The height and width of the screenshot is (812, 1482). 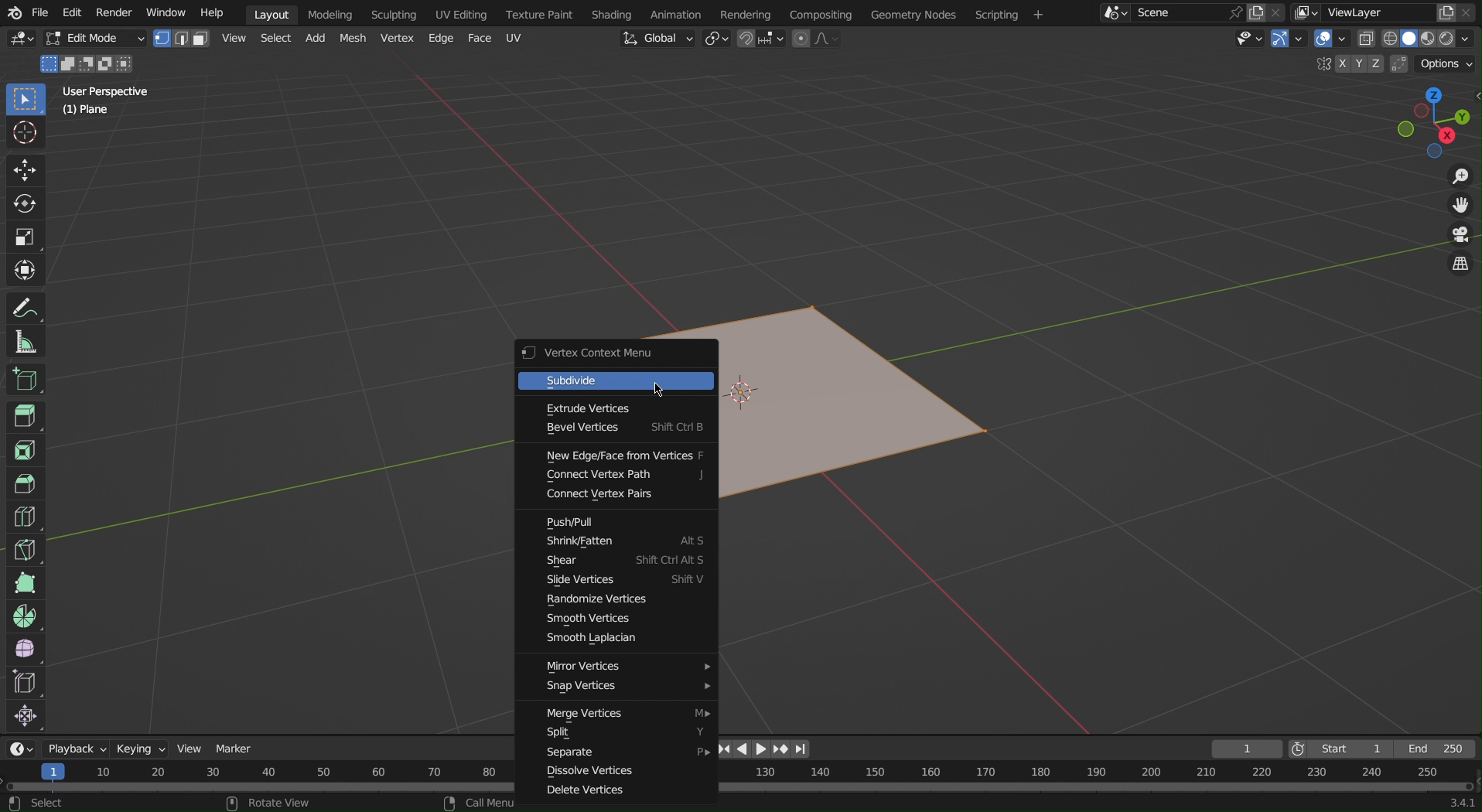 I want to click on Render, so click(x=114, y=12).